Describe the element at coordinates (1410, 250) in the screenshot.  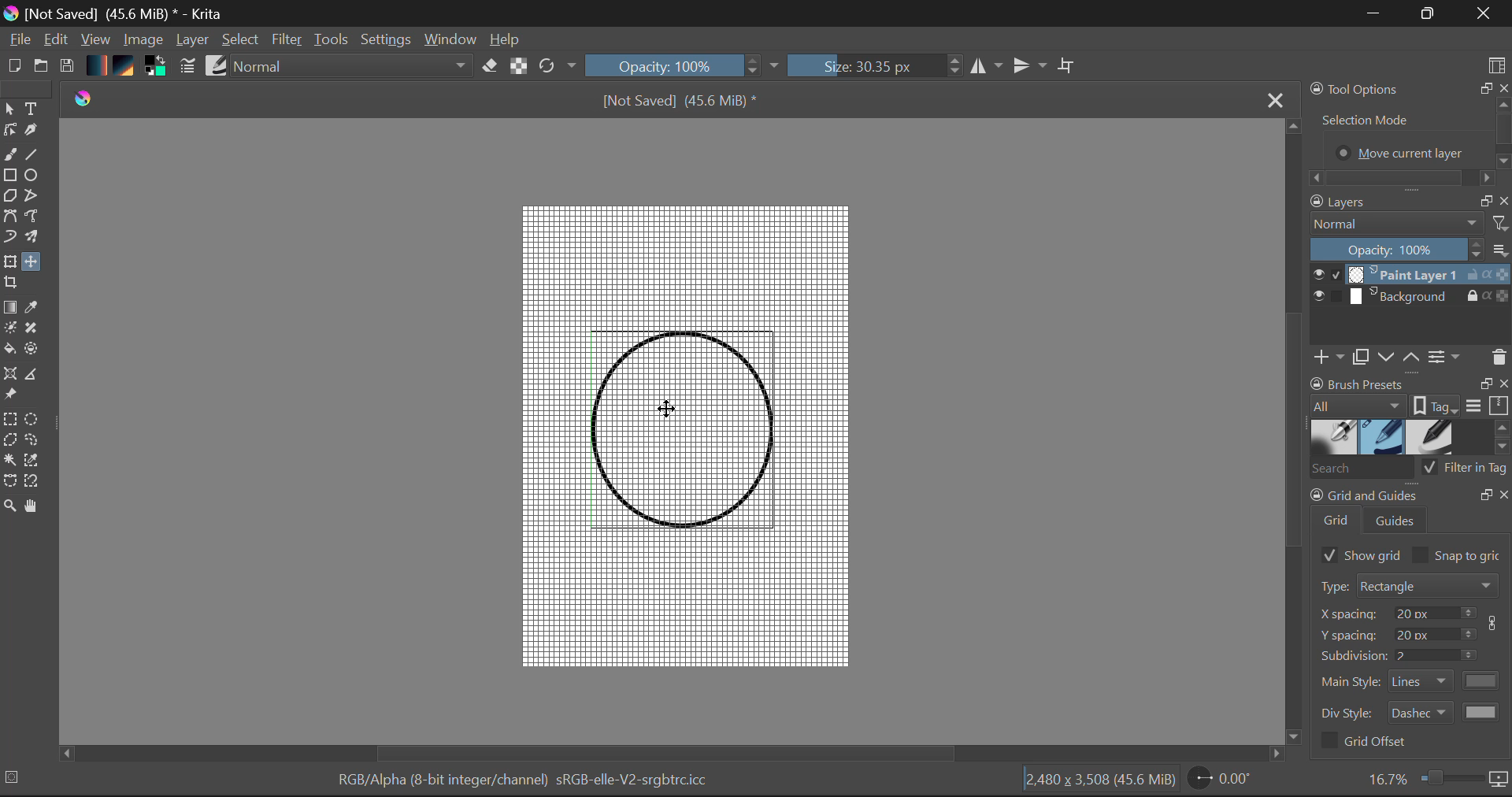
I see `Layer Opacity ` at that location.